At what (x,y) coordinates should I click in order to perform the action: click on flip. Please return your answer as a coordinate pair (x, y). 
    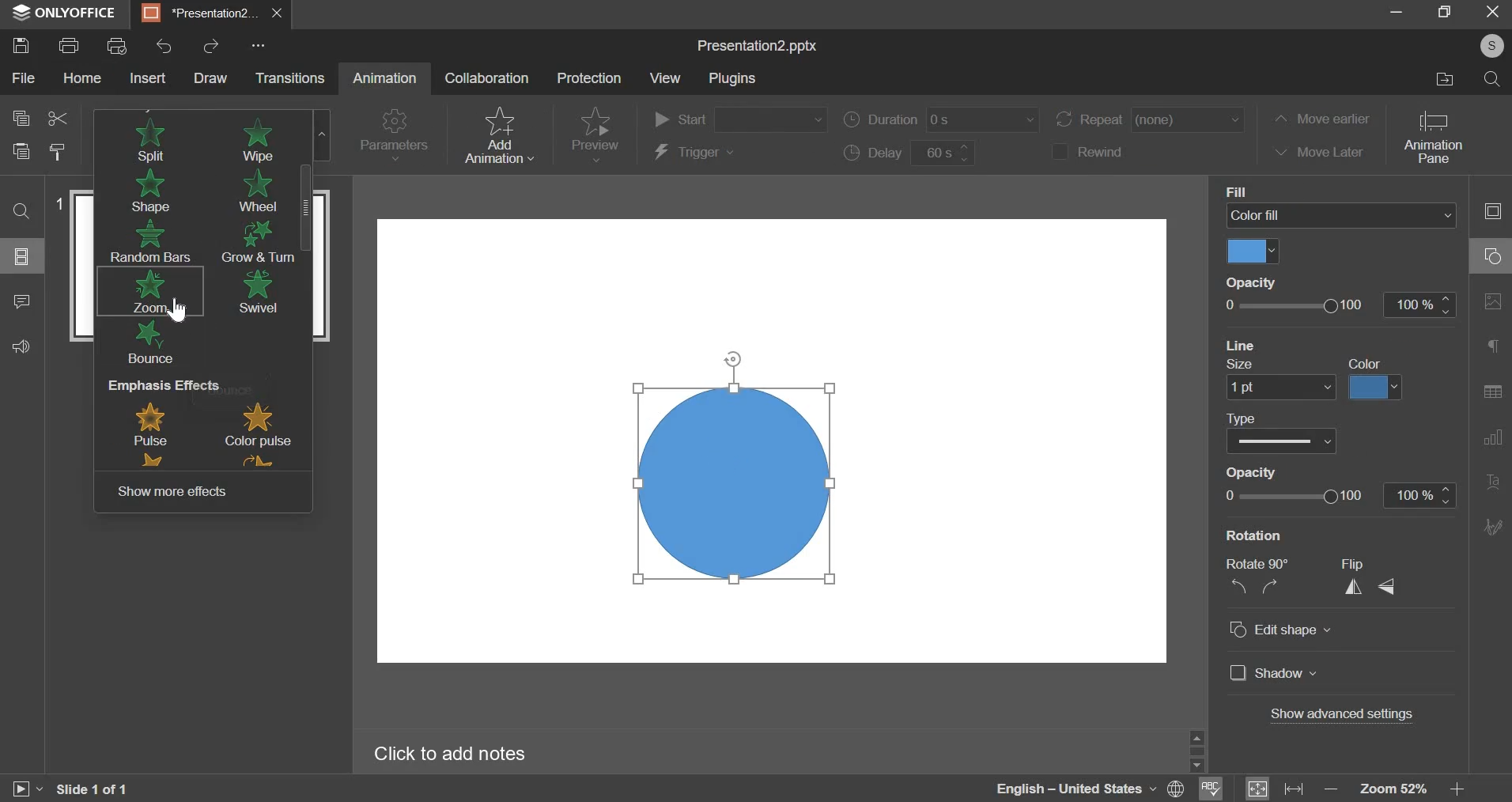
    Looking at the image, I should click on (1370, 579).